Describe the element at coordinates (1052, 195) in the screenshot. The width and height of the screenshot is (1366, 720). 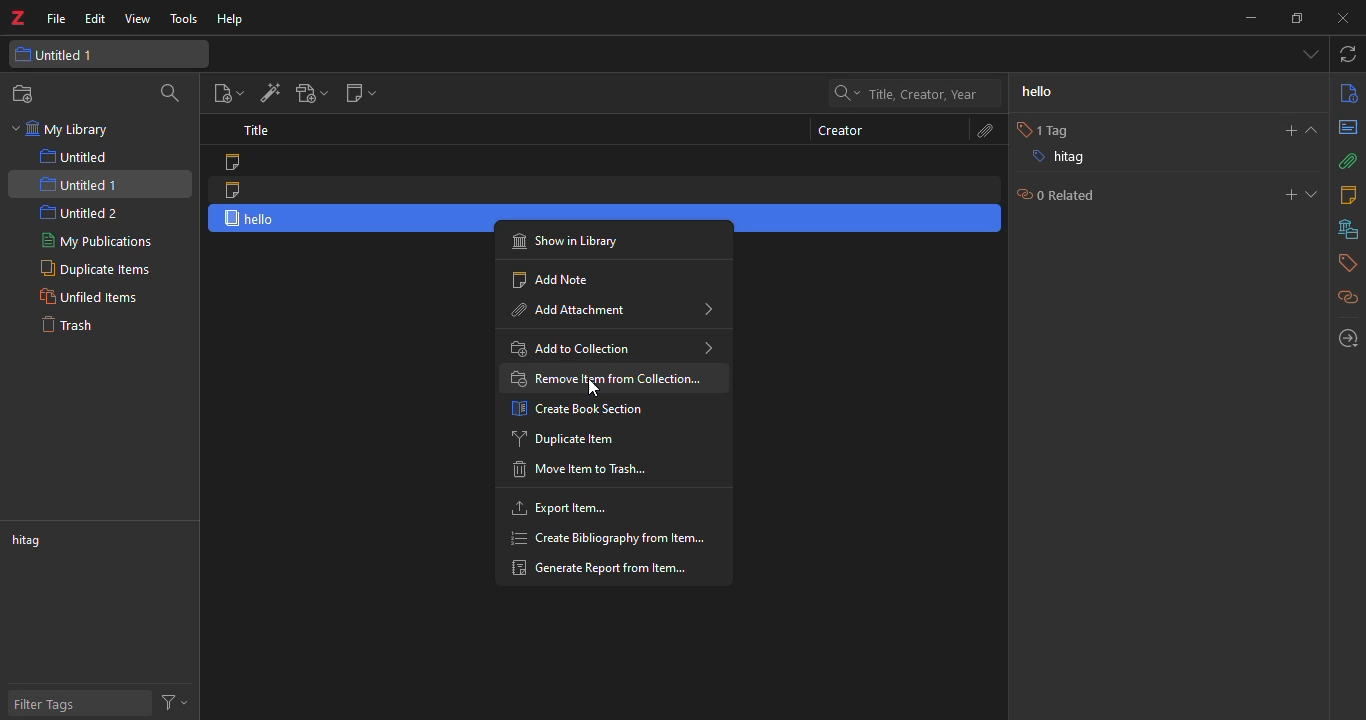
I see `0 related` at that location.